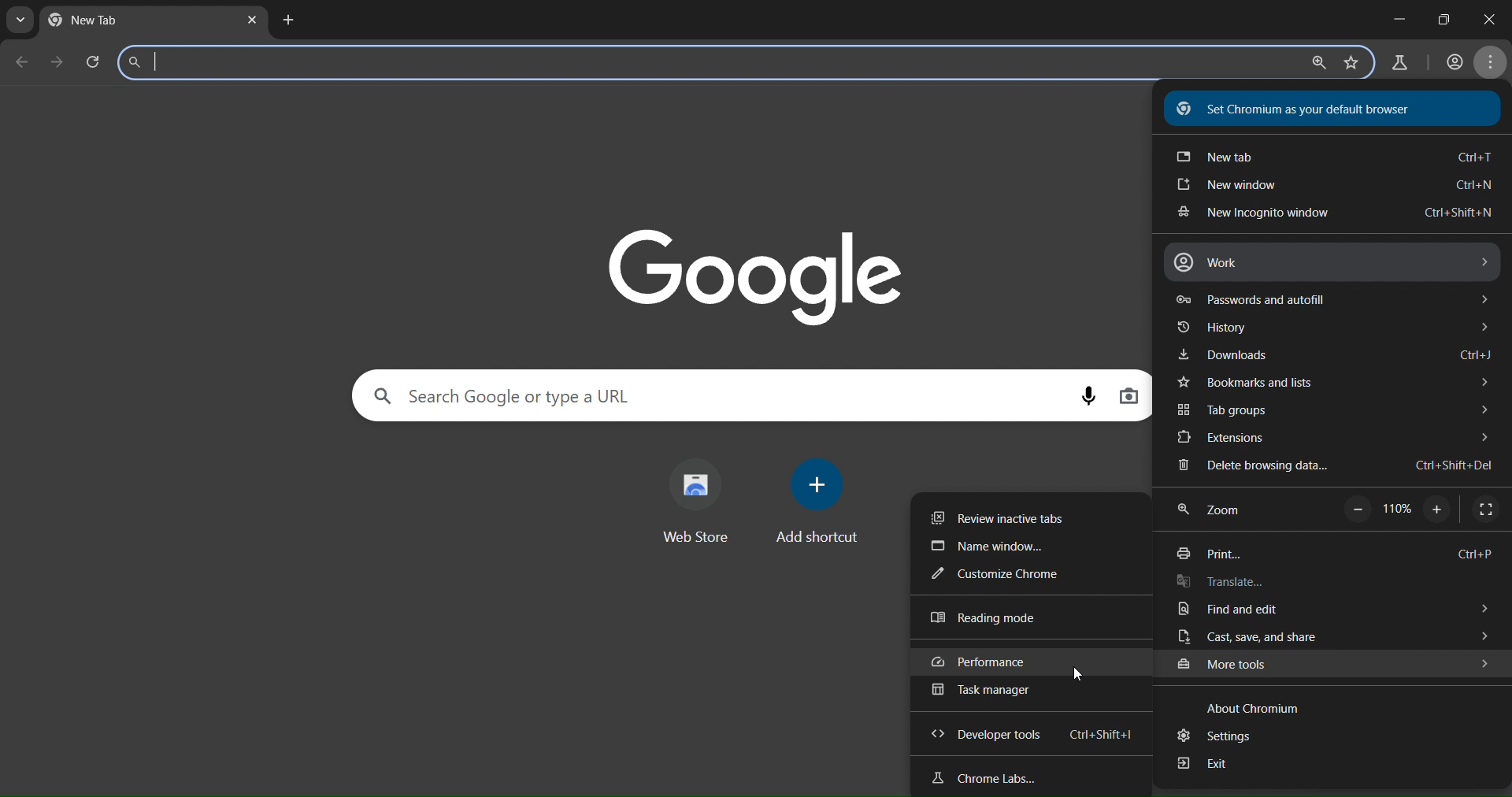 This screenshot has height=797, width=1512. I want to click on settings, so click(1224, 736).